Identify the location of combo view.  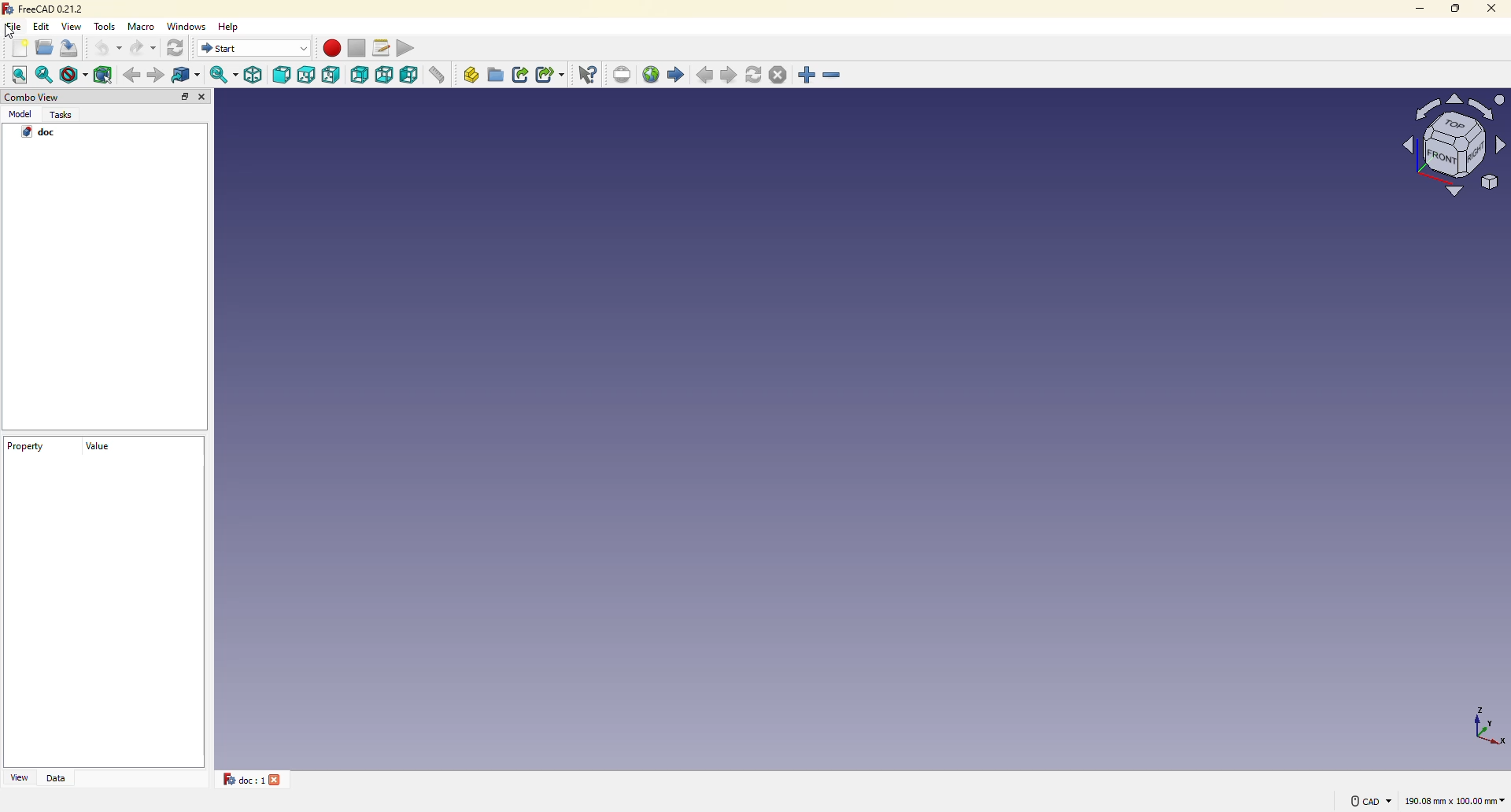
(31, 98).